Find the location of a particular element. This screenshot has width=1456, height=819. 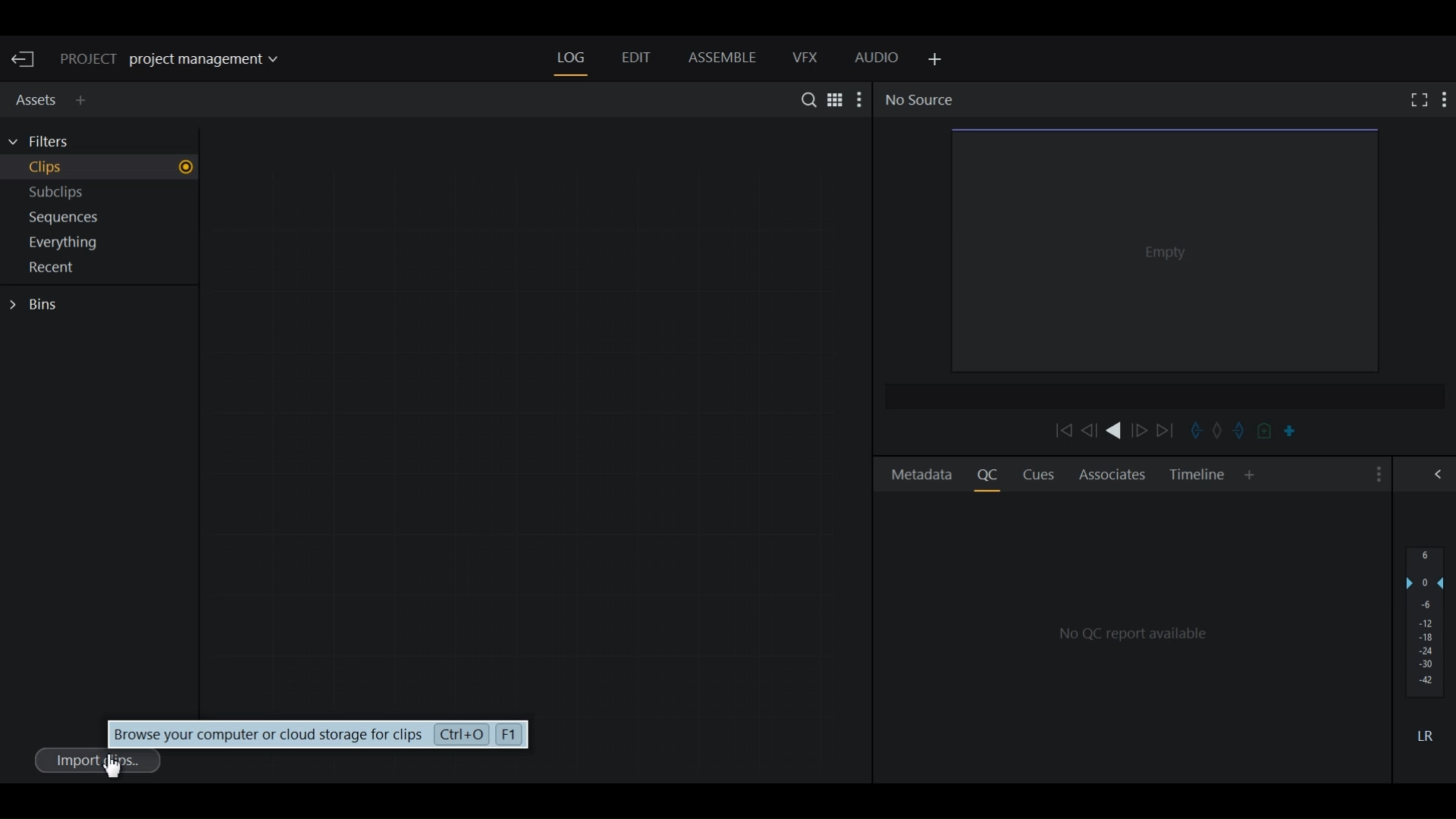

Search in assets and Bins is located at coordinates (805, 99).